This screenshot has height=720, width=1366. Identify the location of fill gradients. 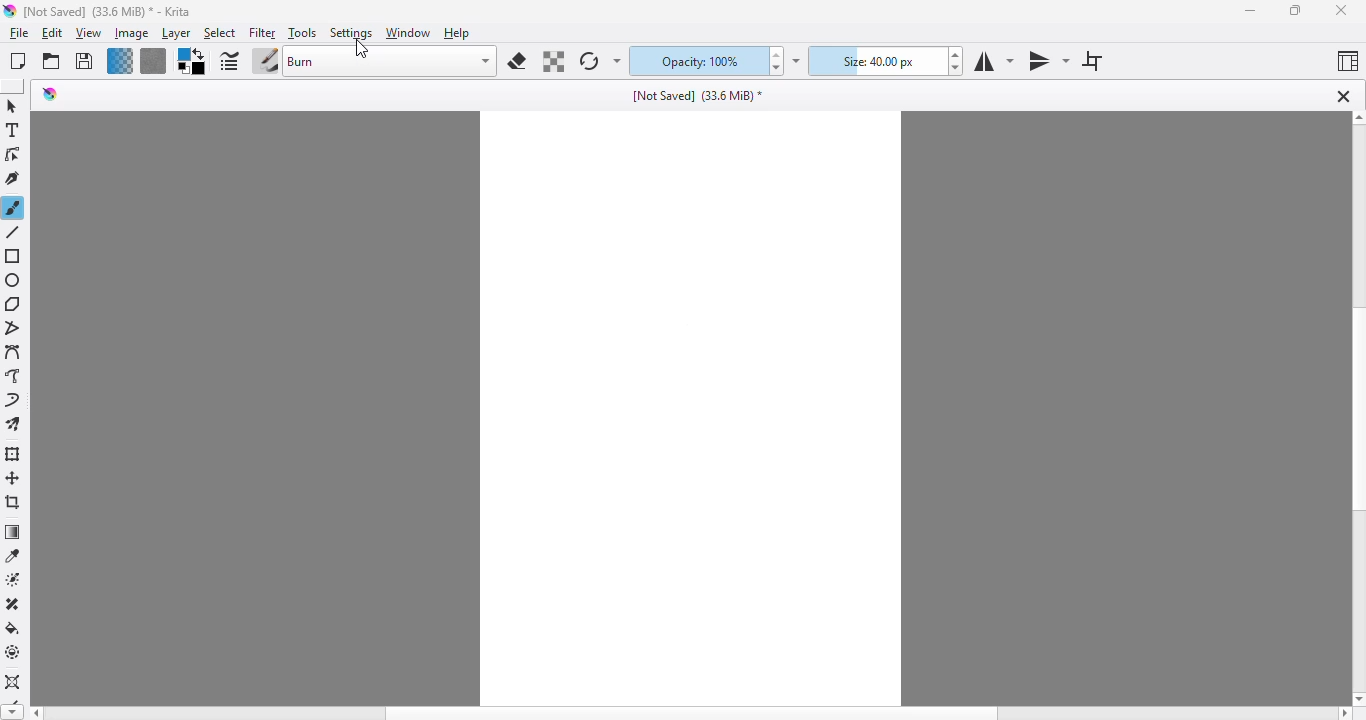
(120, 61).